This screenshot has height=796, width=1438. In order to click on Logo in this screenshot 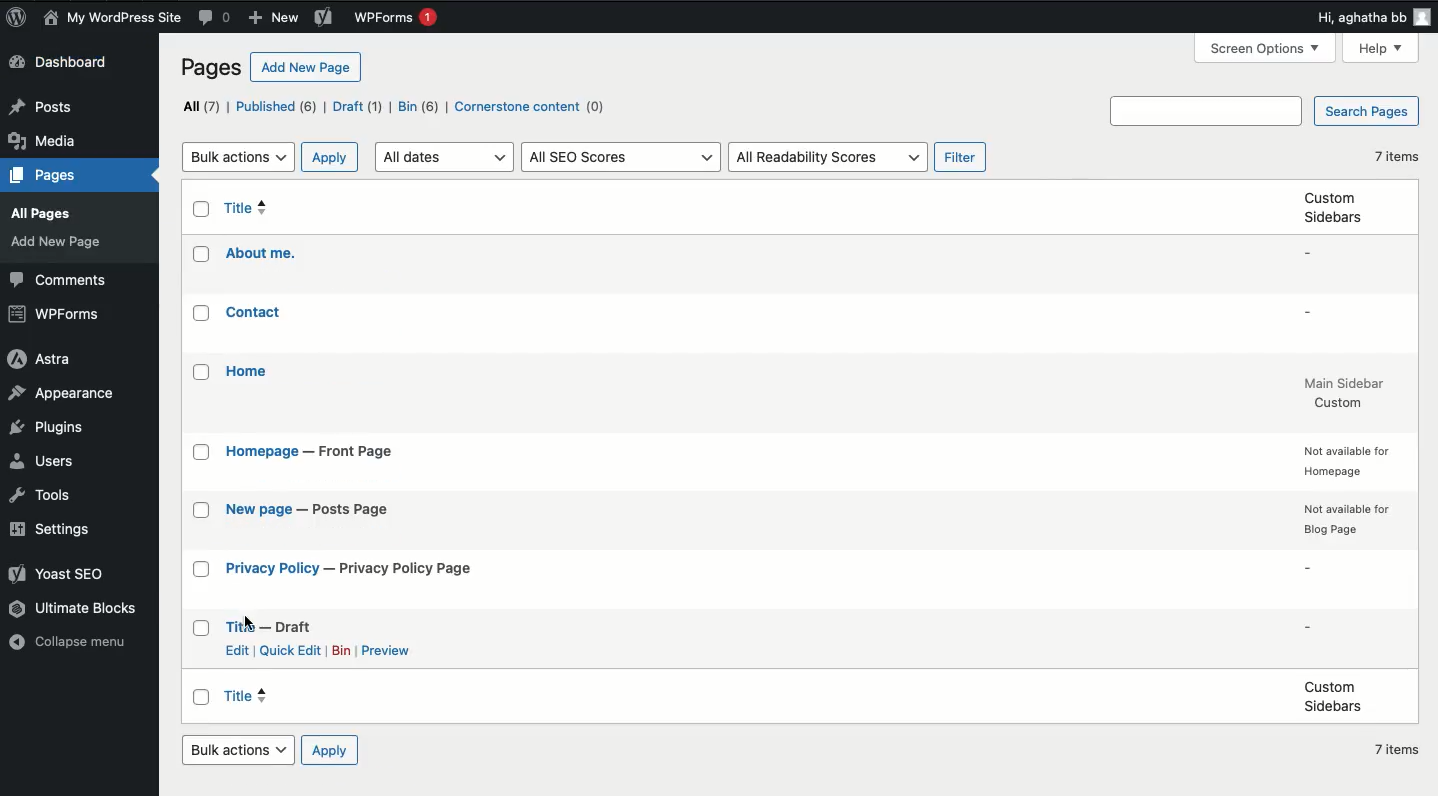, I will do `click(16, 19)`.